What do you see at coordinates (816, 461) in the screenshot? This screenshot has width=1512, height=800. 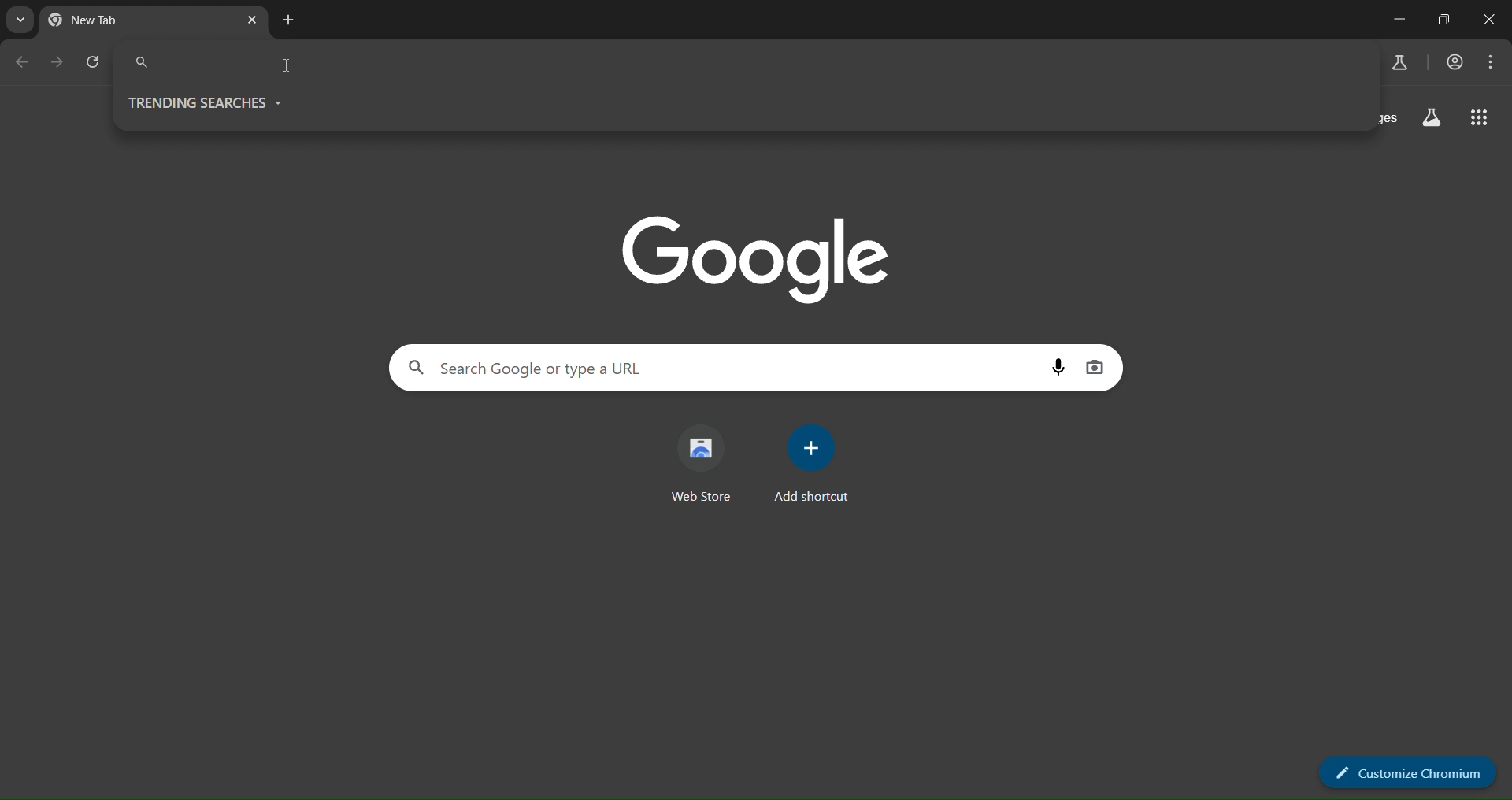 I see `add shortcut` at bounding box center [816, 461].